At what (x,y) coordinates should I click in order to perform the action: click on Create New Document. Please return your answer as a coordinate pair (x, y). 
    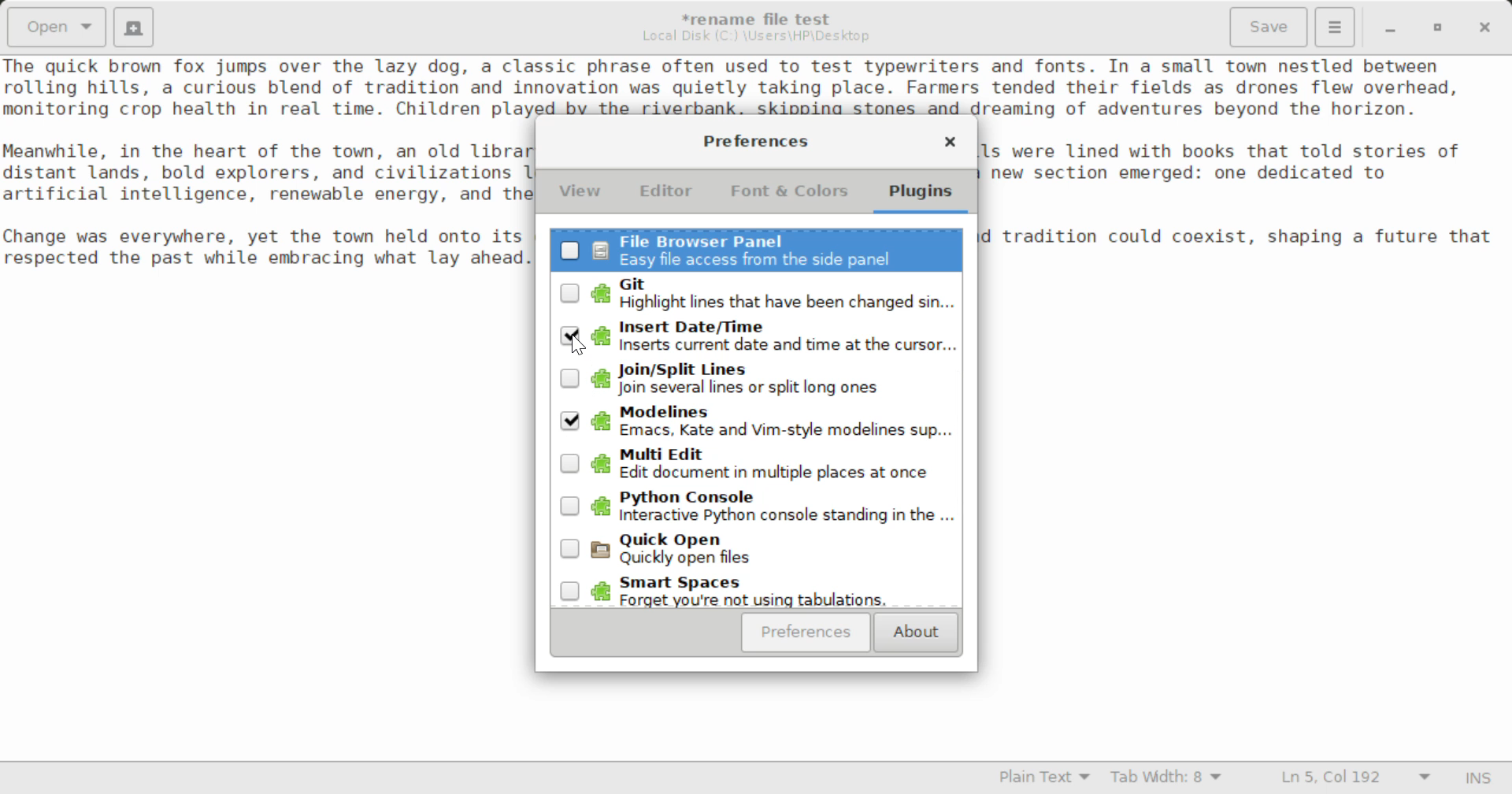
    Looking at the image, I should click on (132, 25).